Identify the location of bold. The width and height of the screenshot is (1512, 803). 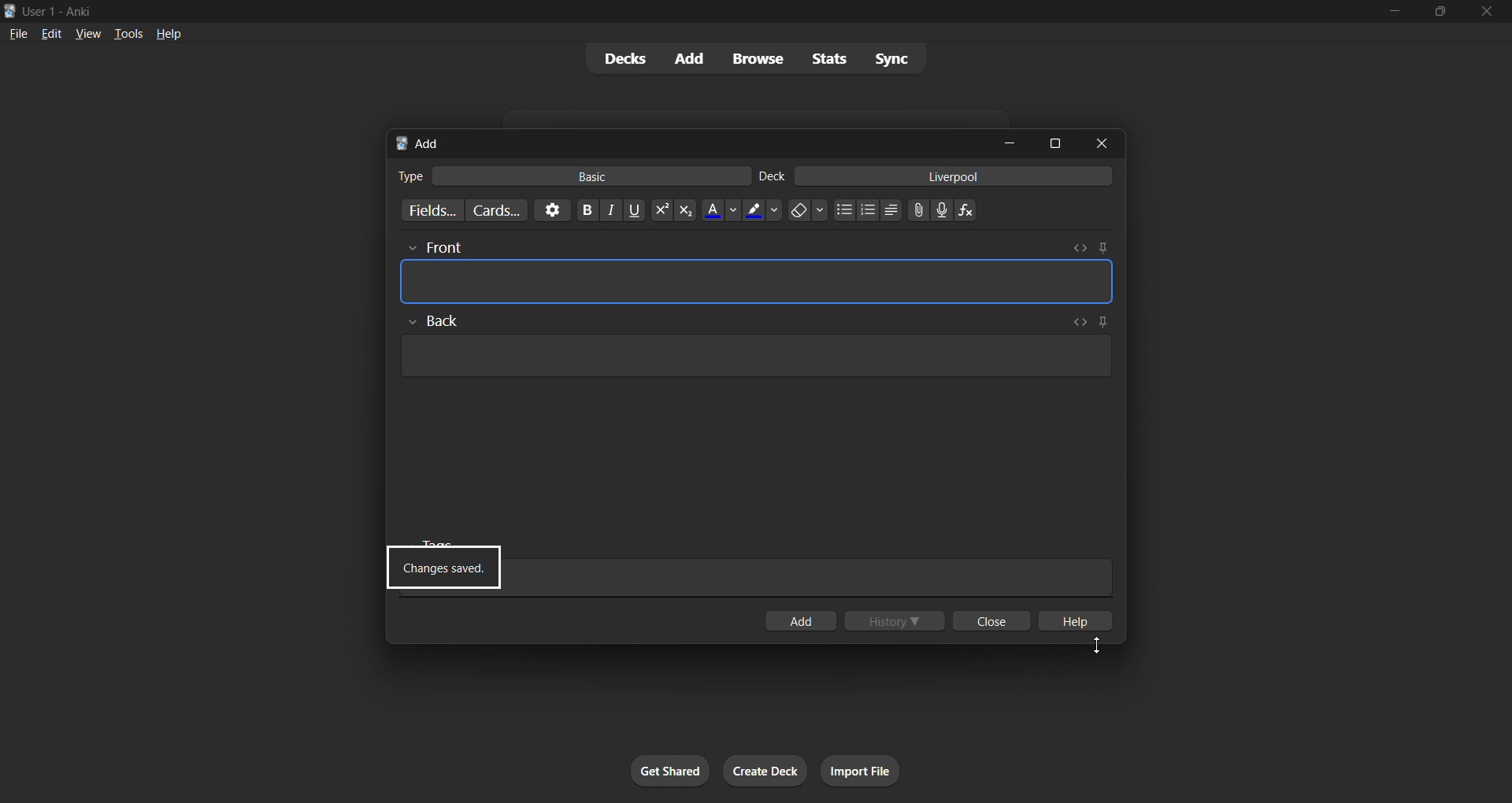
(584, 210).